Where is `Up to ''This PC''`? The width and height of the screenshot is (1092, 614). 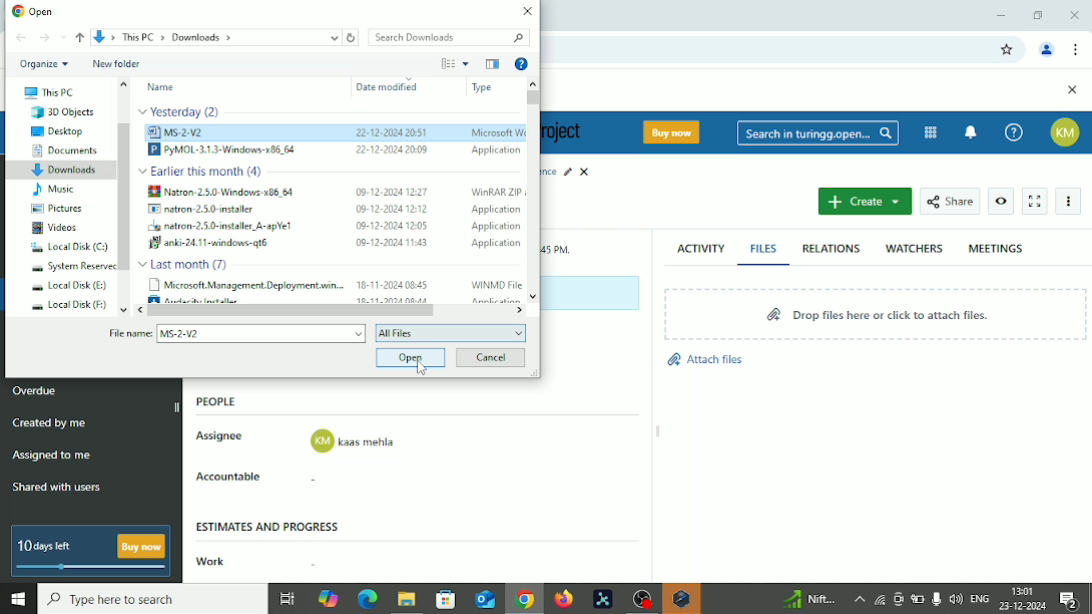
Up to ''This PC'' is located at coordinates (80, 37).